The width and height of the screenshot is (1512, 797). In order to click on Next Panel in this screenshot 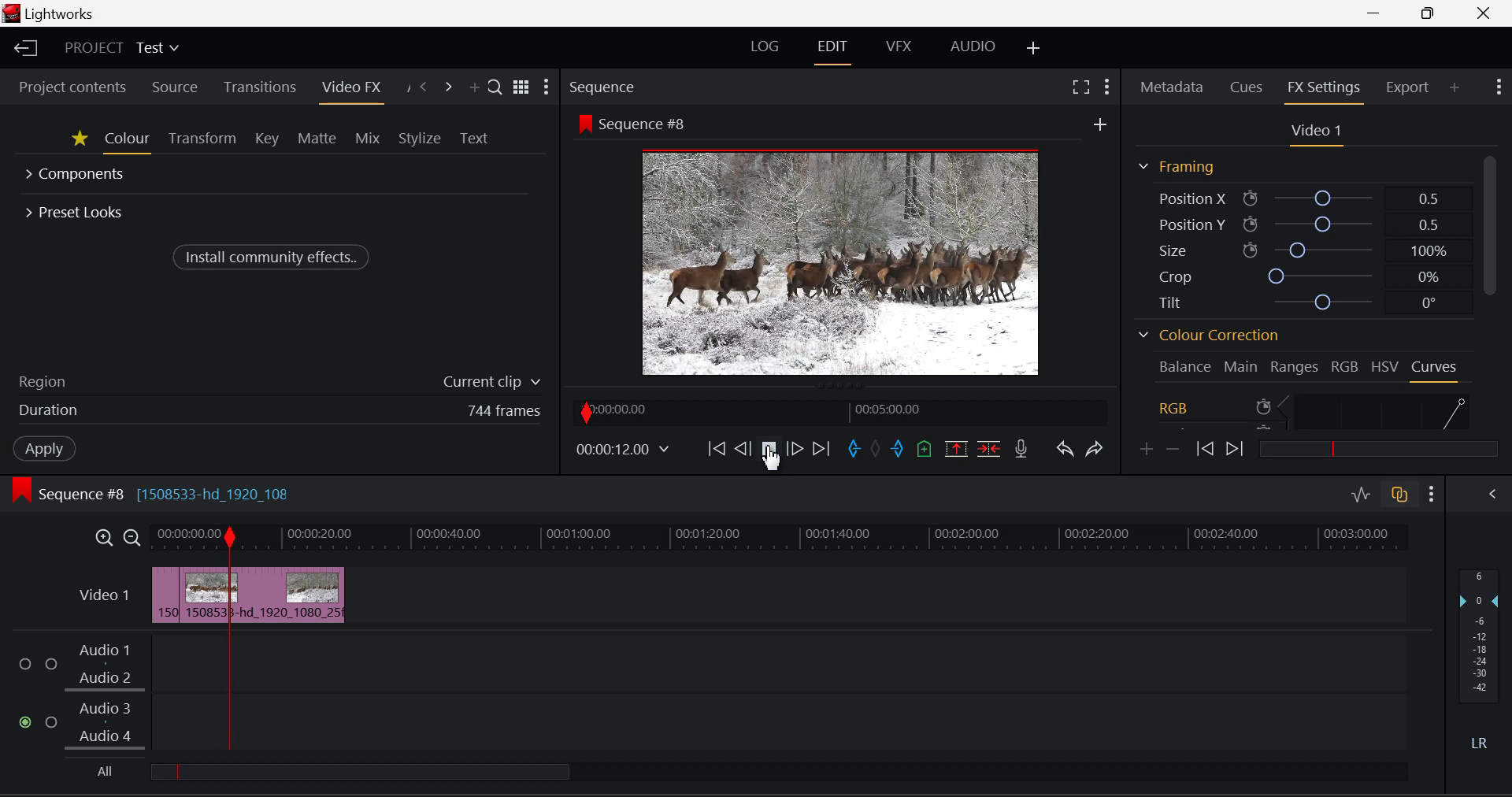, I will do `click(448, 85)`.